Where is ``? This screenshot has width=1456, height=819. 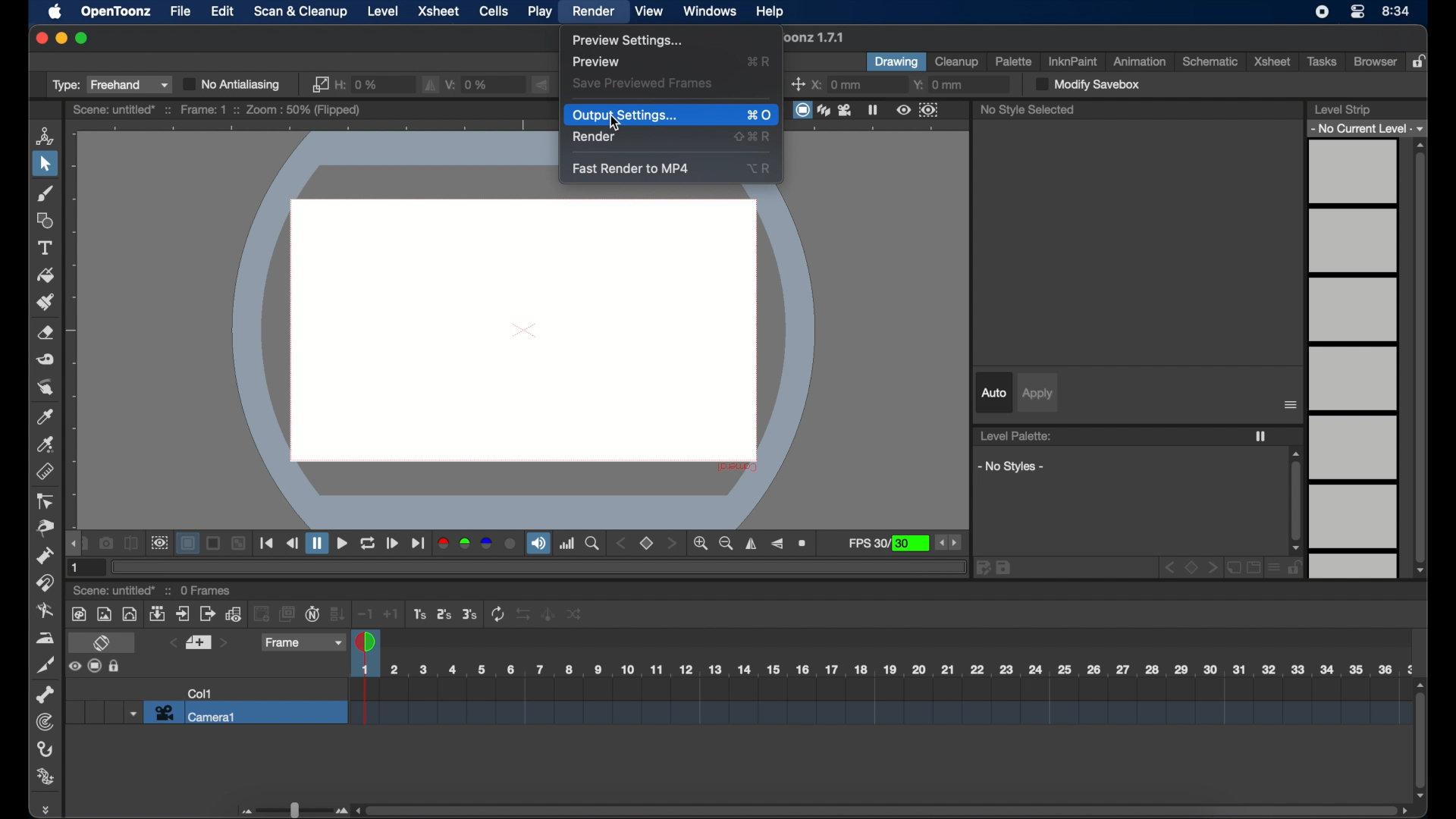  is located at coordinates (170, 591).